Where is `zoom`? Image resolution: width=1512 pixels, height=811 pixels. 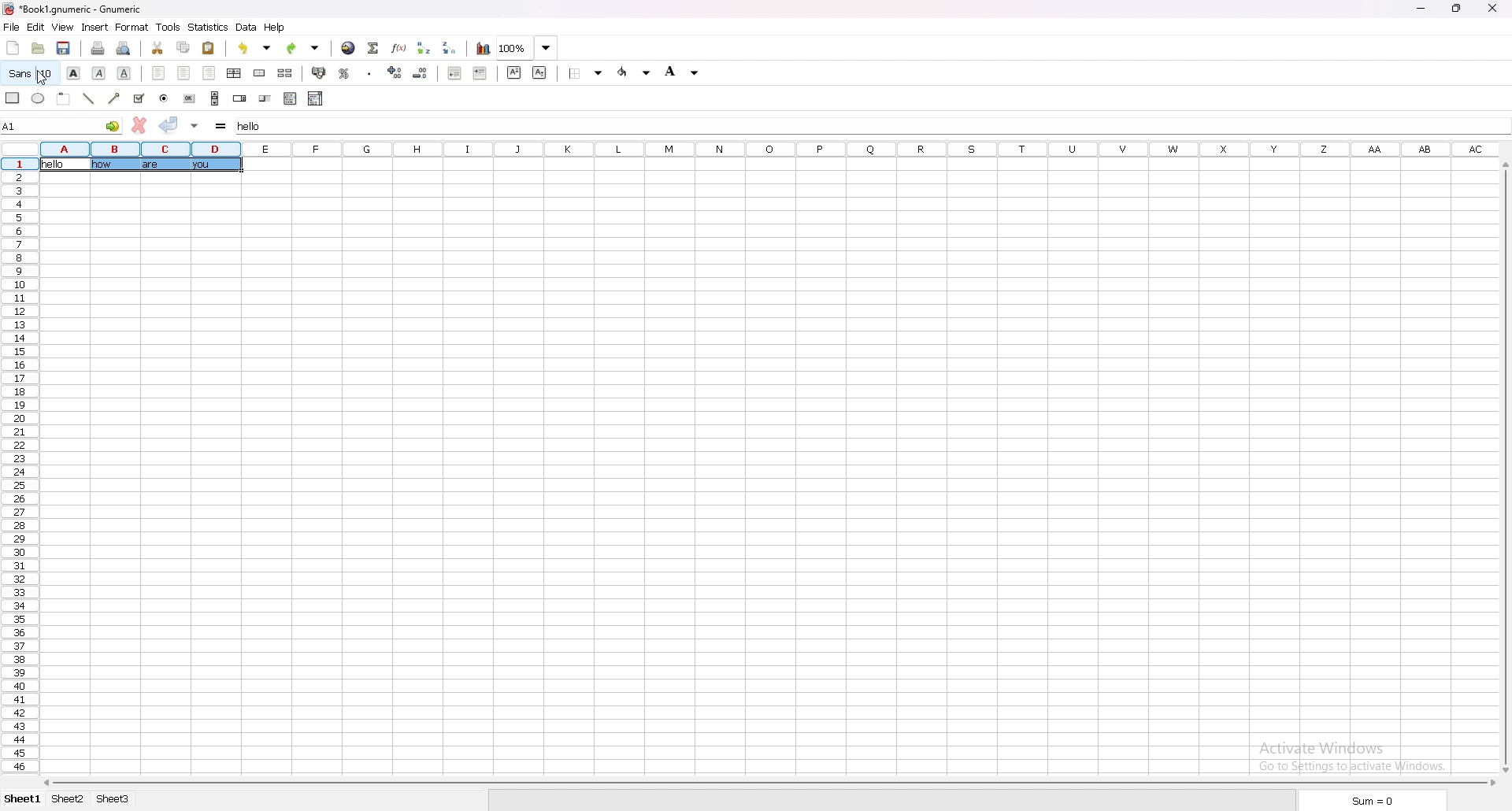 zoom is located at coordinates (528, 48).